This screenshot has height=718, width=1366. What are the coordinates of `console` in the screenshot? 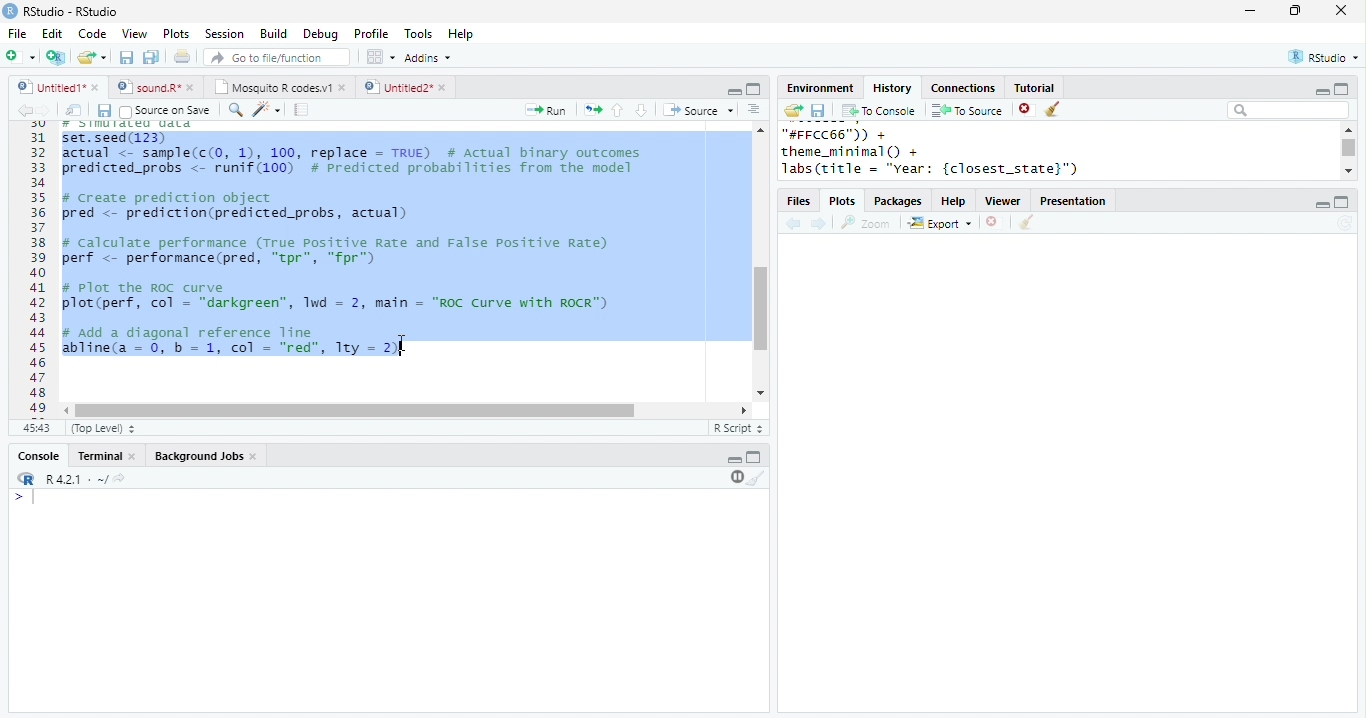 It's located at (37, 457).